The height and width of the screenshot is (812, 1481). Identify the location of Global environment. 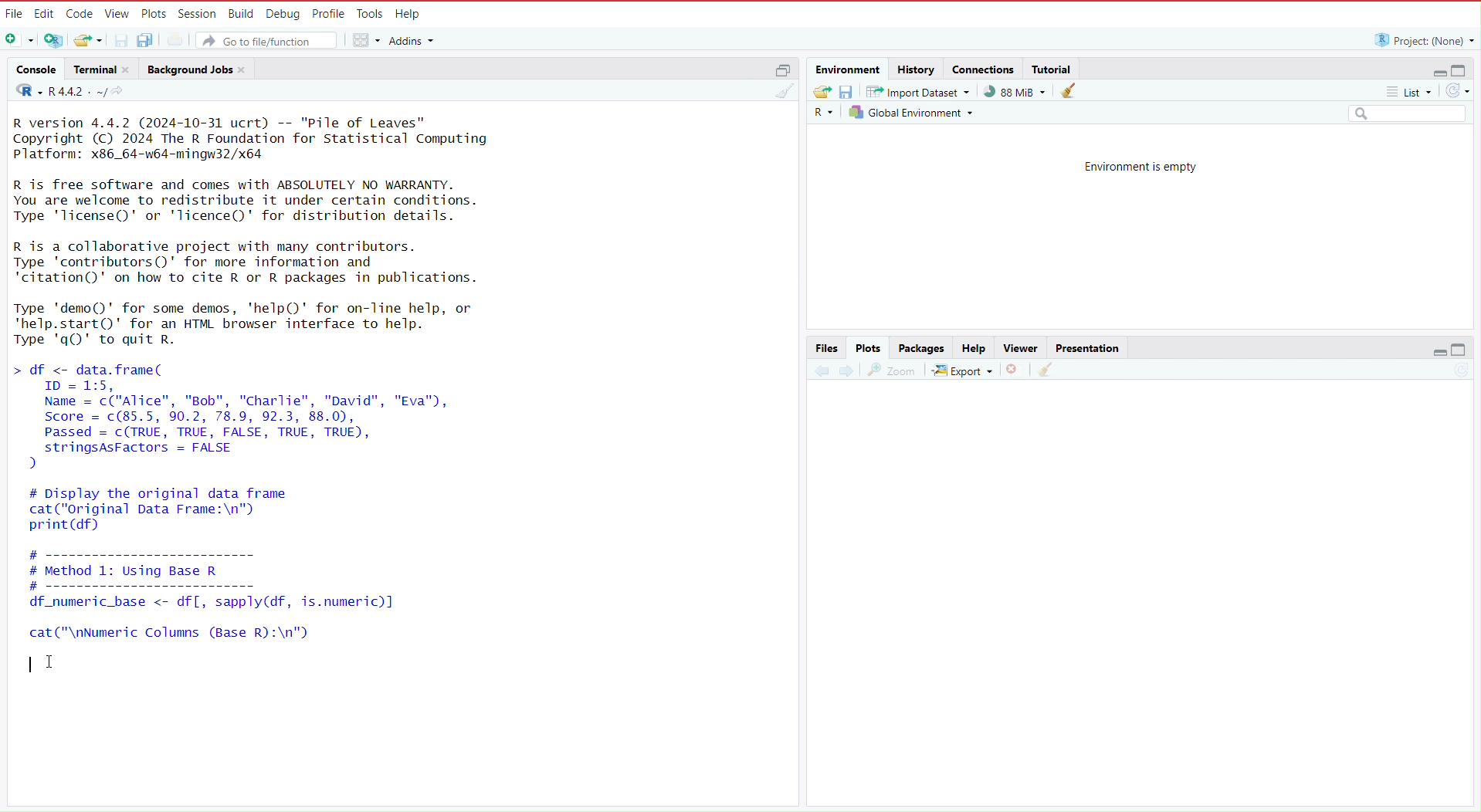
(912, 113).